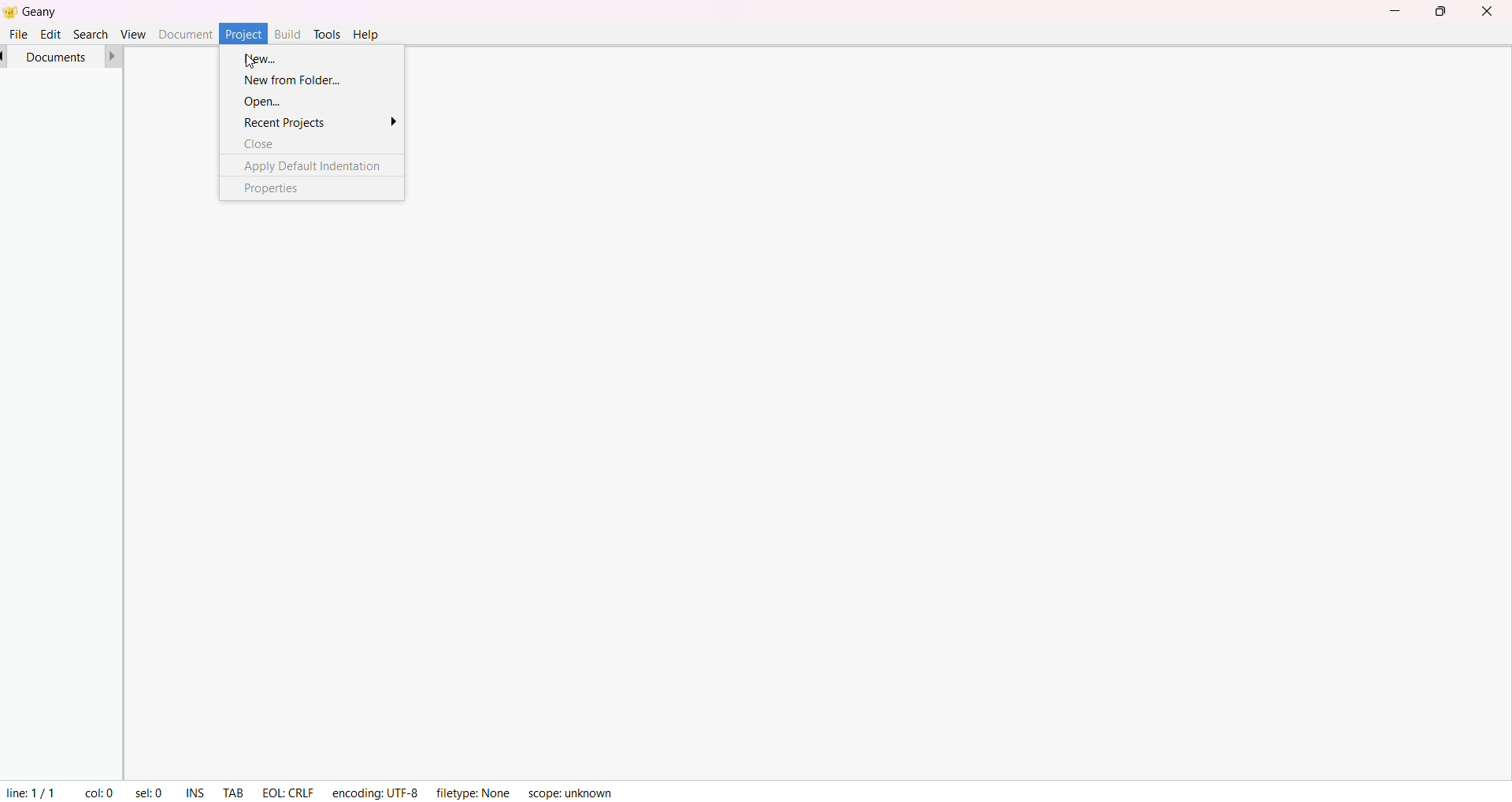 The image size is (1512, 802). I want to click on sel: 0, so click(147, 791).